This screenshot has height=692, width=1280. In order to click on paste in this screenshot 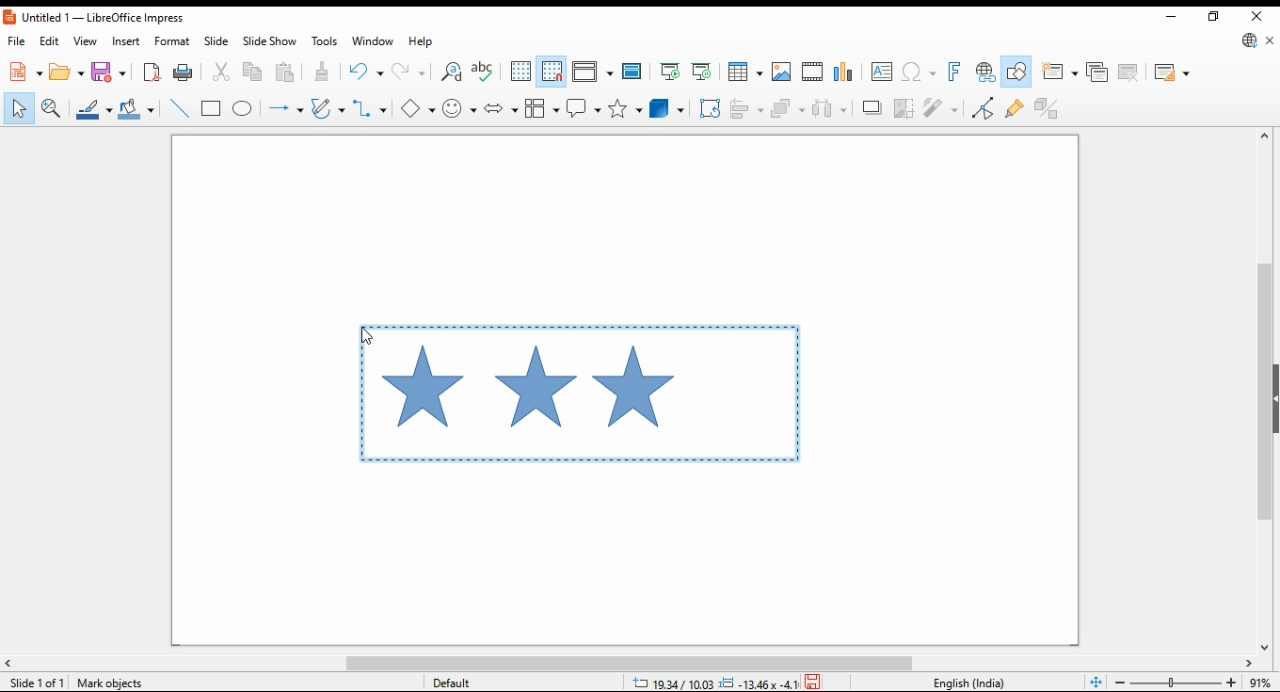, I will do `click(325, 70)`.